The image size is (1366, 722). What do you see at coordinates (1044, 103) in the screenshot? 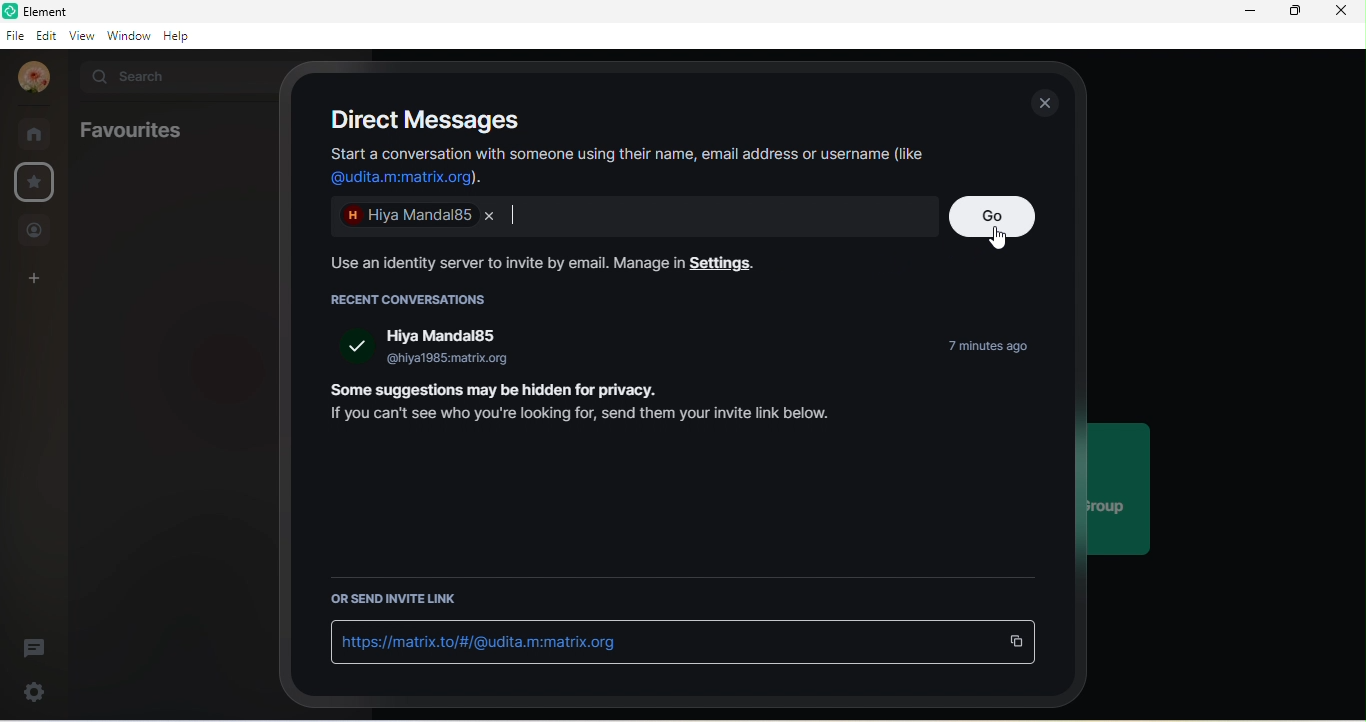
I see `close` at bounding box center [1044, 103].